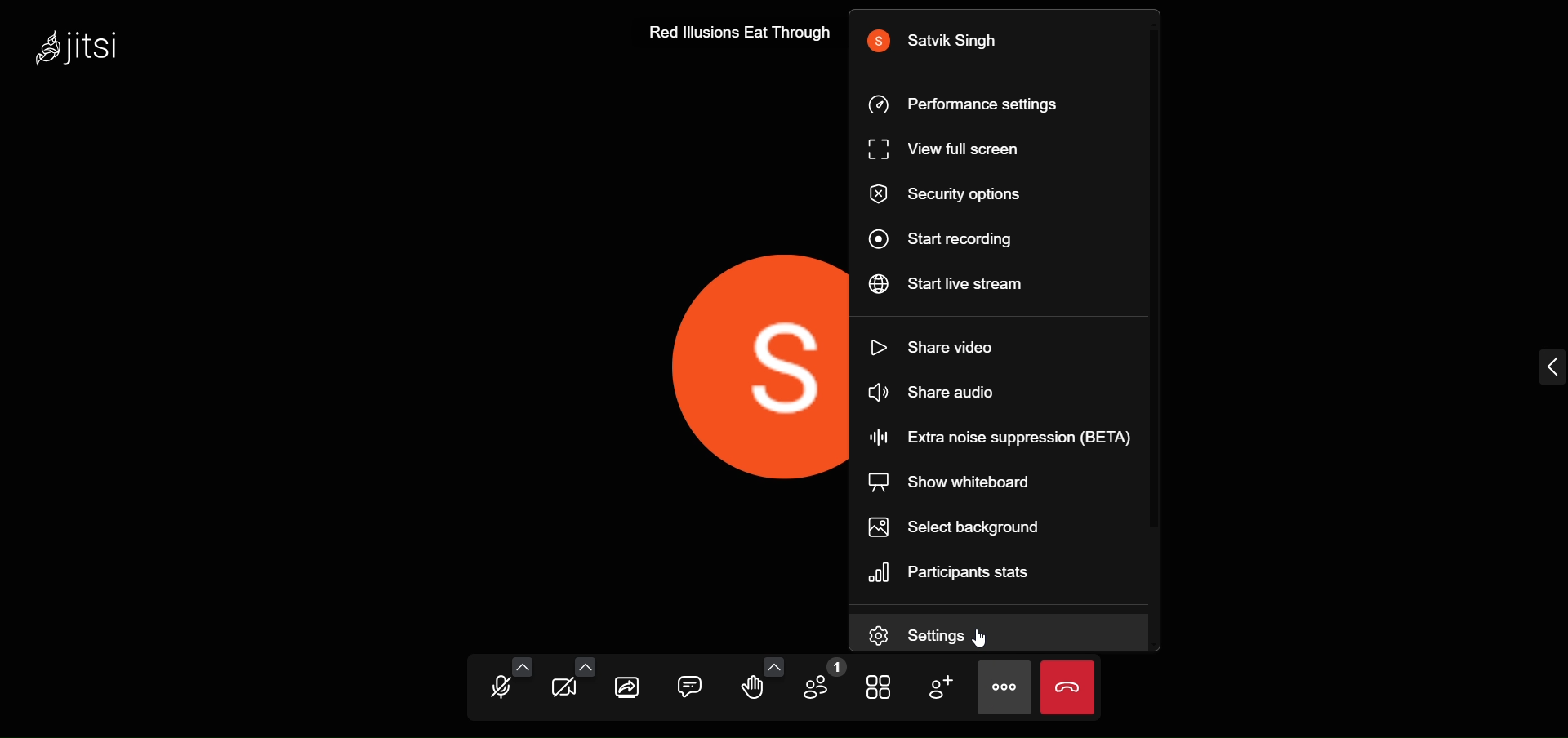  I want to click on more, so click(1001, 688).